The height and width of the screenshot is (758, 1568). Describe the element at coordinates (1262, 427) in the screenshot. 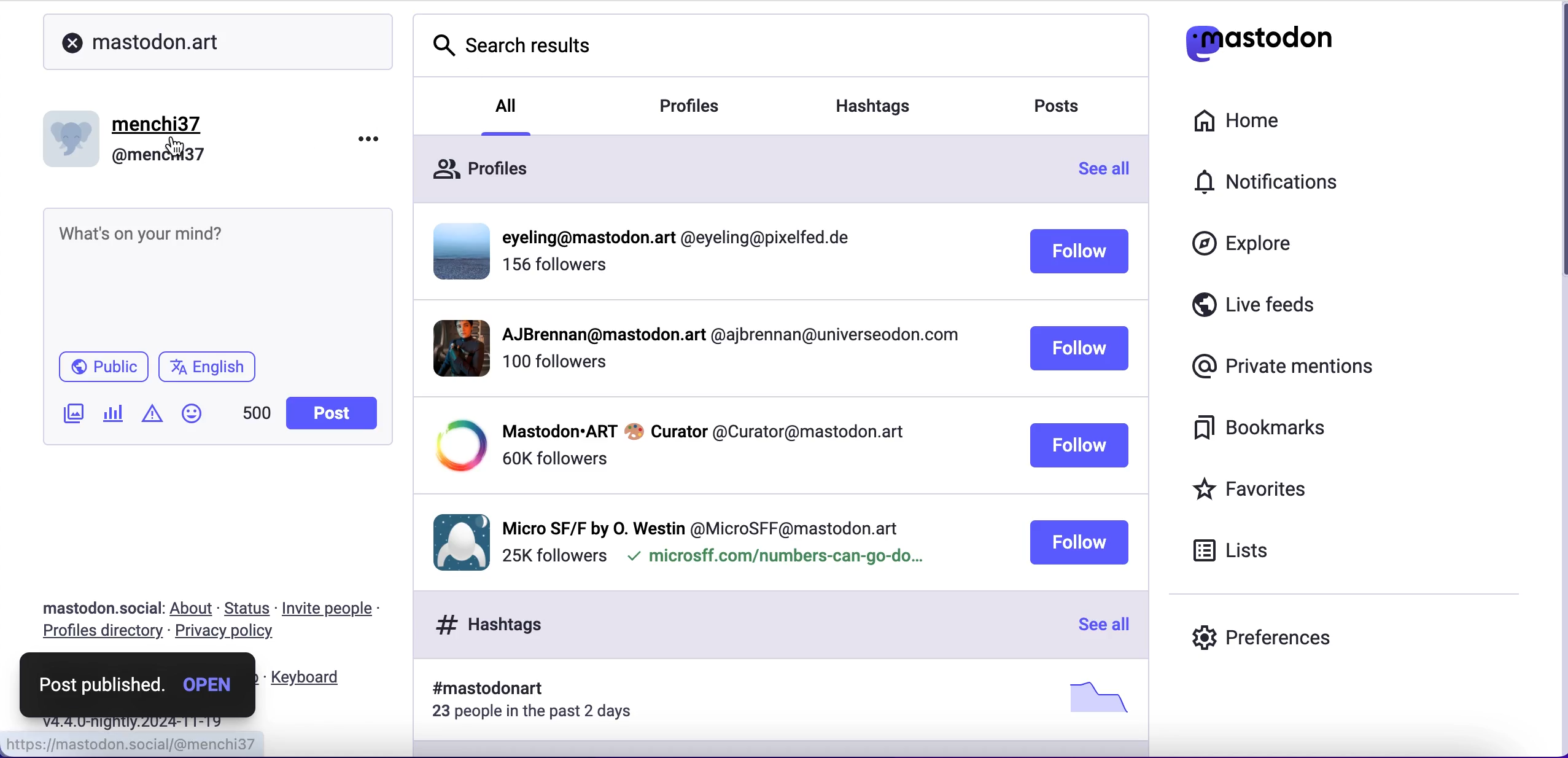

I see `bookmarks` at that location.